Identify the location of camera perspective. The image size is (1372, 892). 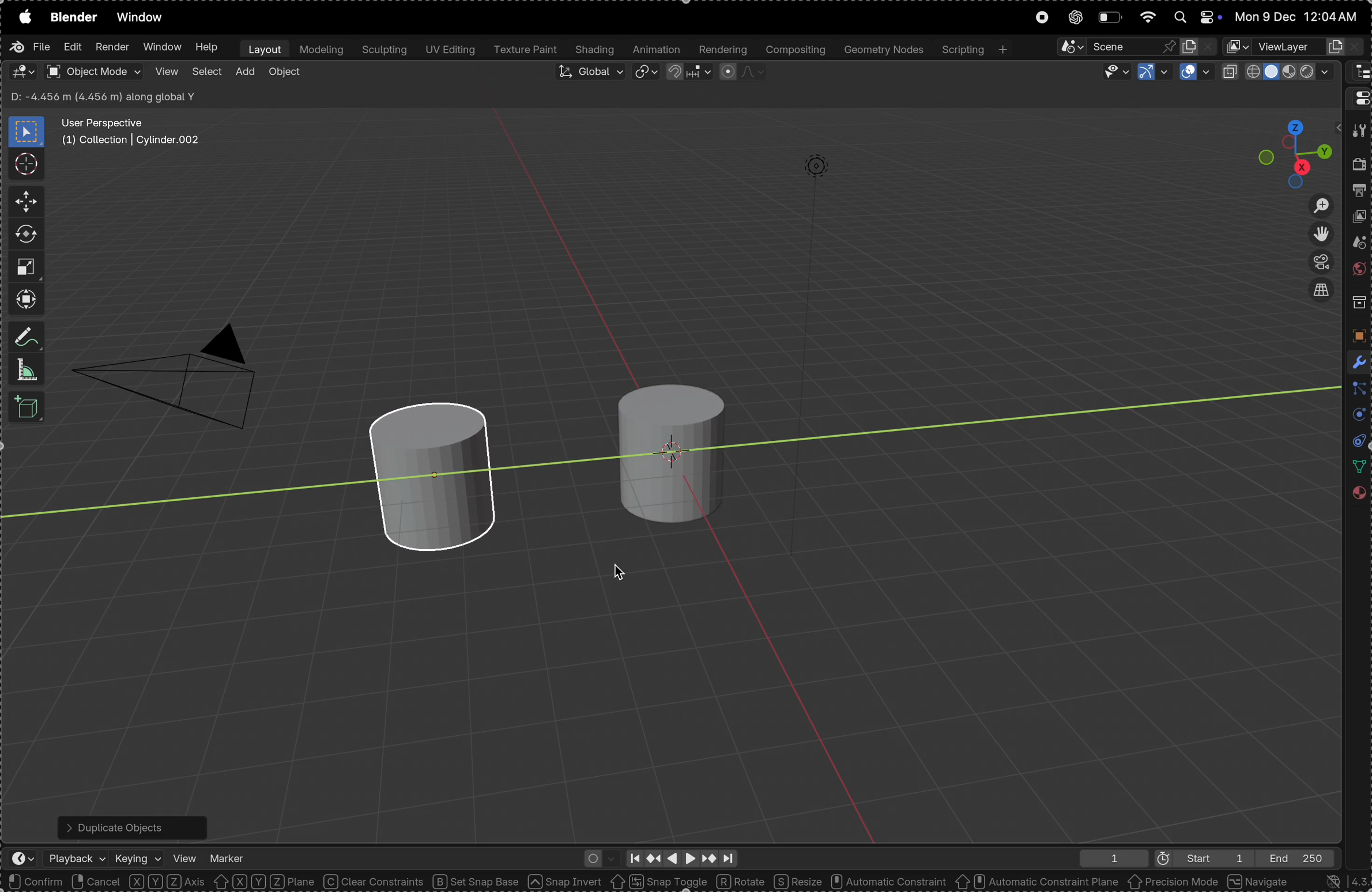
(174, 369).